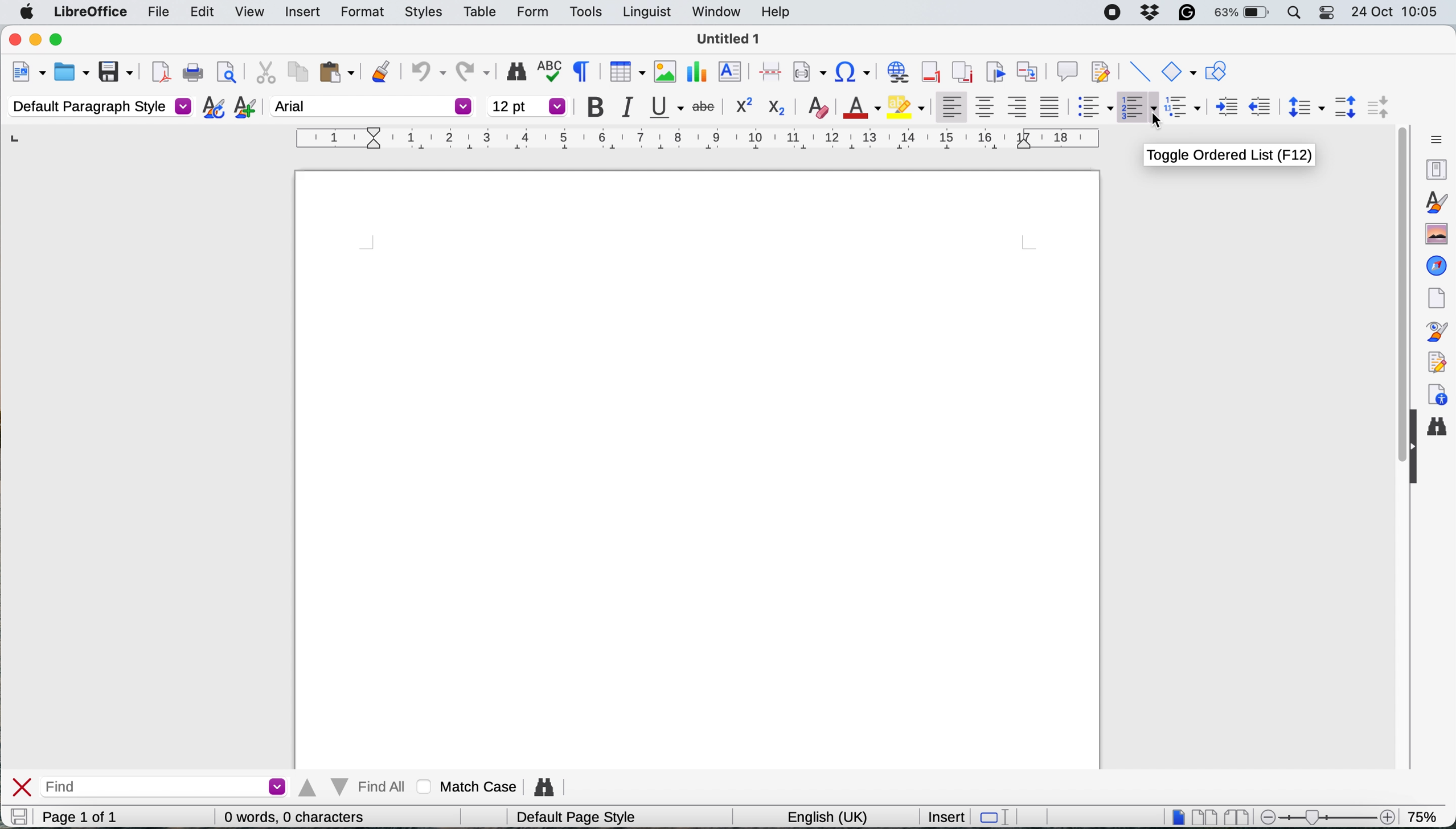 This screenshot has height=829, width=1456. I want to click on gallery, so click(1434, 232).